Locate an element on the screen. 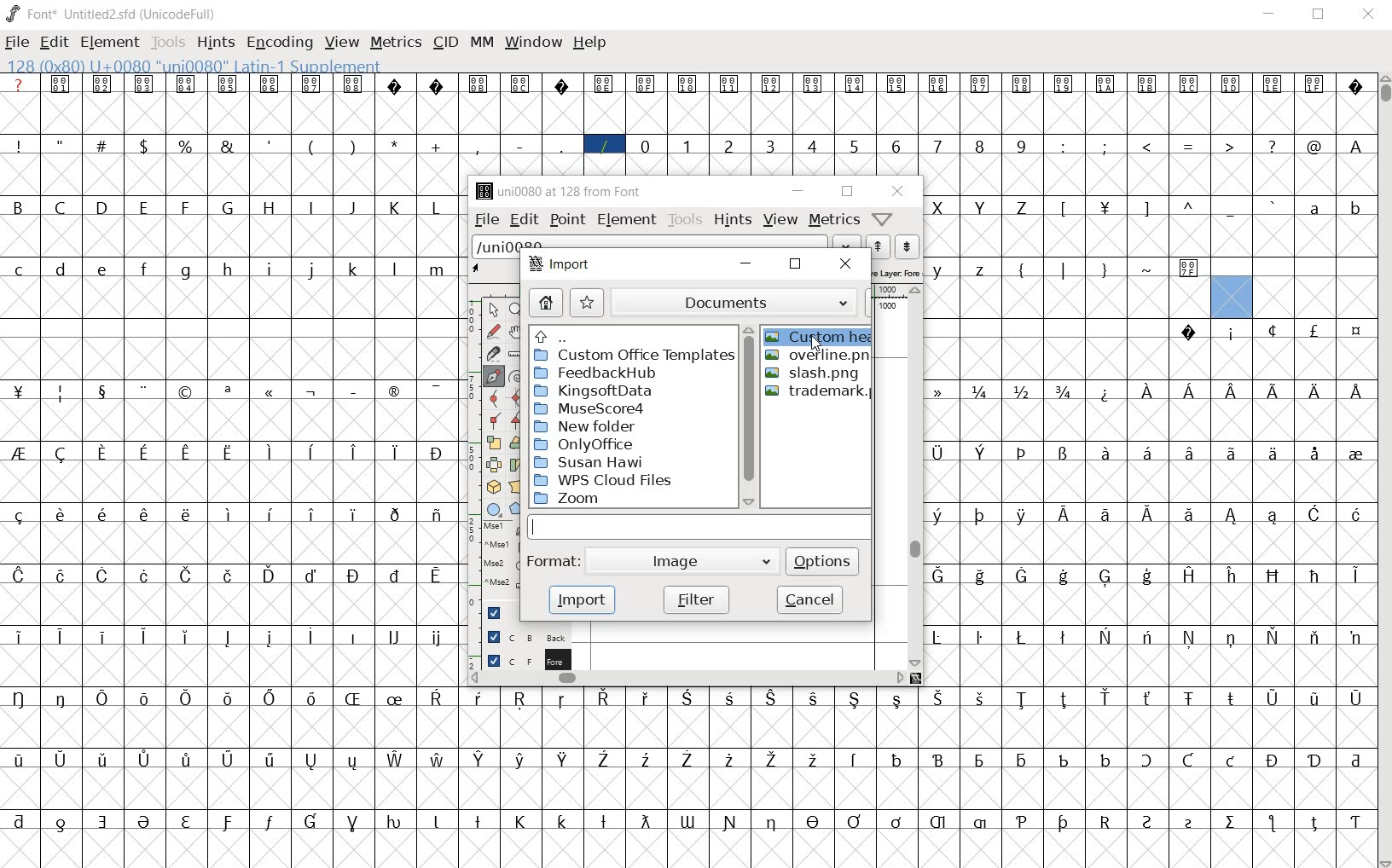  glyph is located at coordinates (310, 514).